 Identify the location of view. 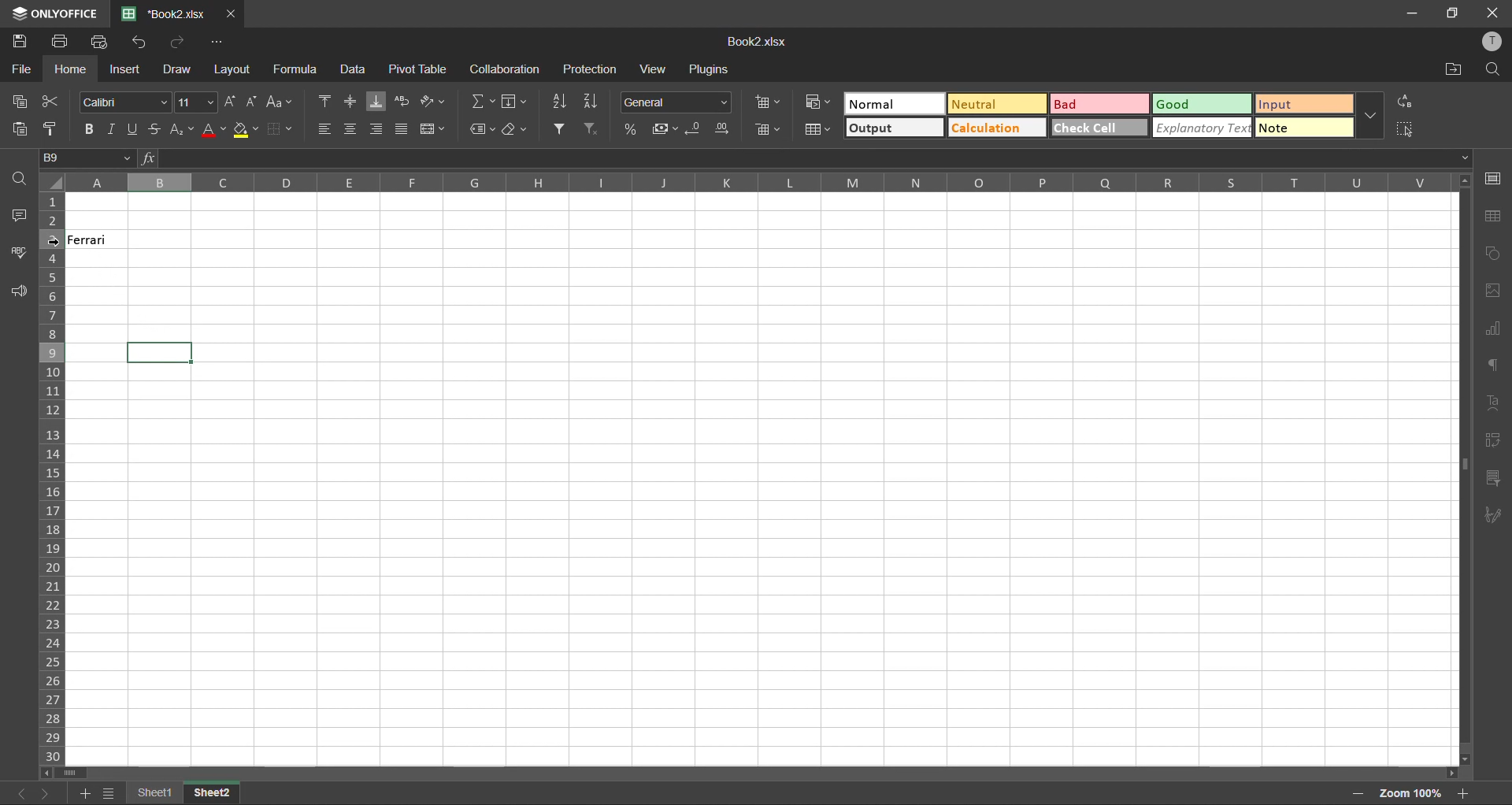
(648, 70).